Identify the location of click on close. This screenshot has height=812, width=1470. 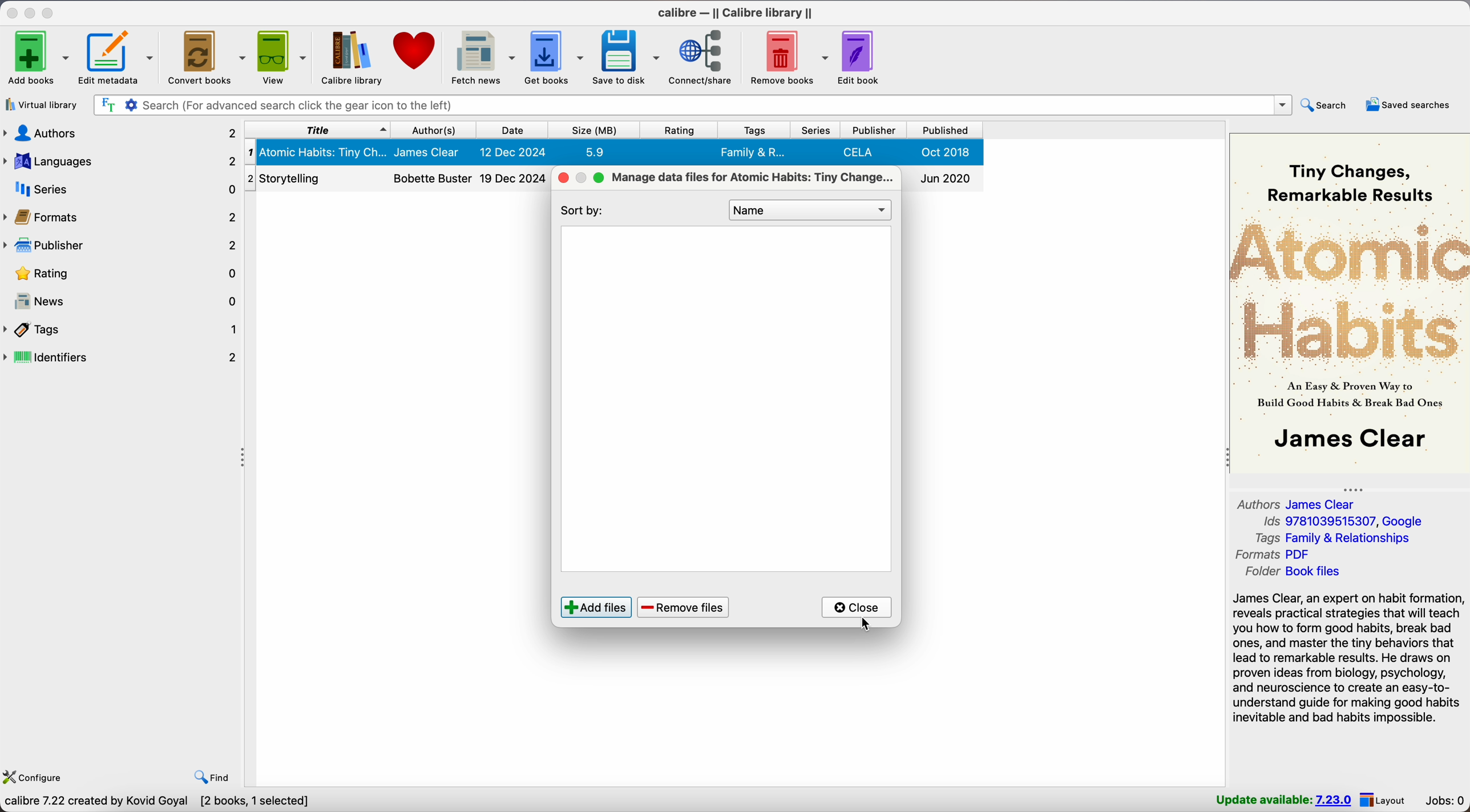
(856, 607).